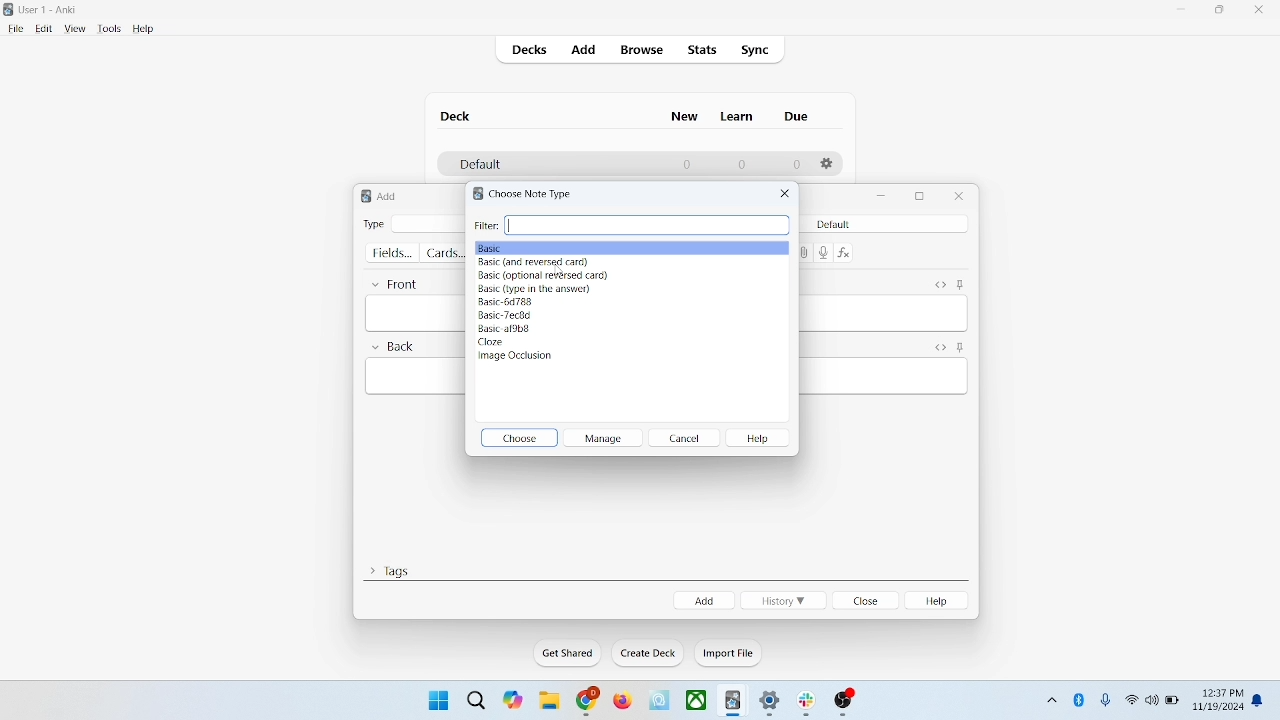  Describe the element at coordinates (740, 164) in the screenshot. I see `0` at that location.